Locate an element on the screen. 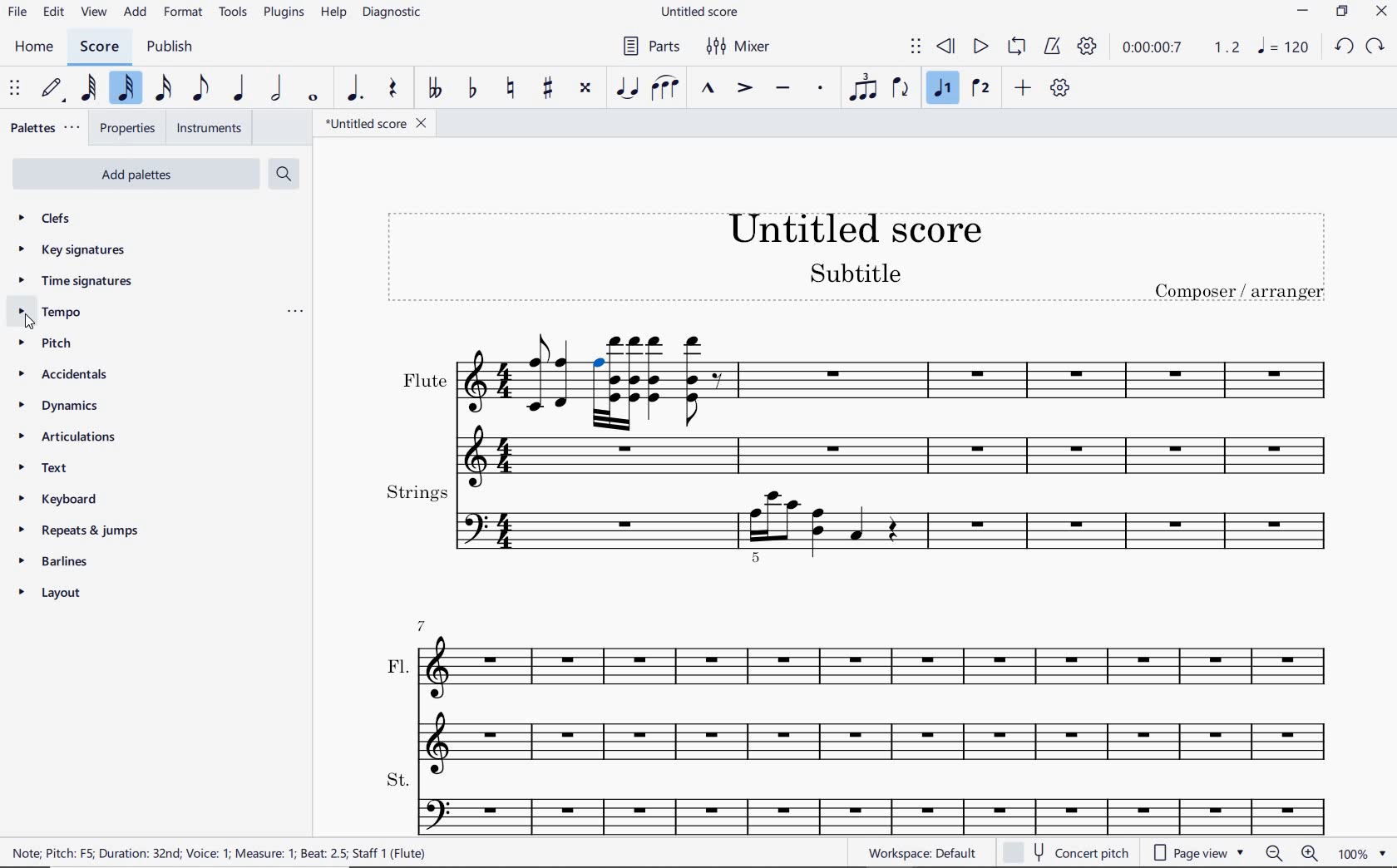 The image size is (1397, 868). flute is located at coordinates (482, 403).